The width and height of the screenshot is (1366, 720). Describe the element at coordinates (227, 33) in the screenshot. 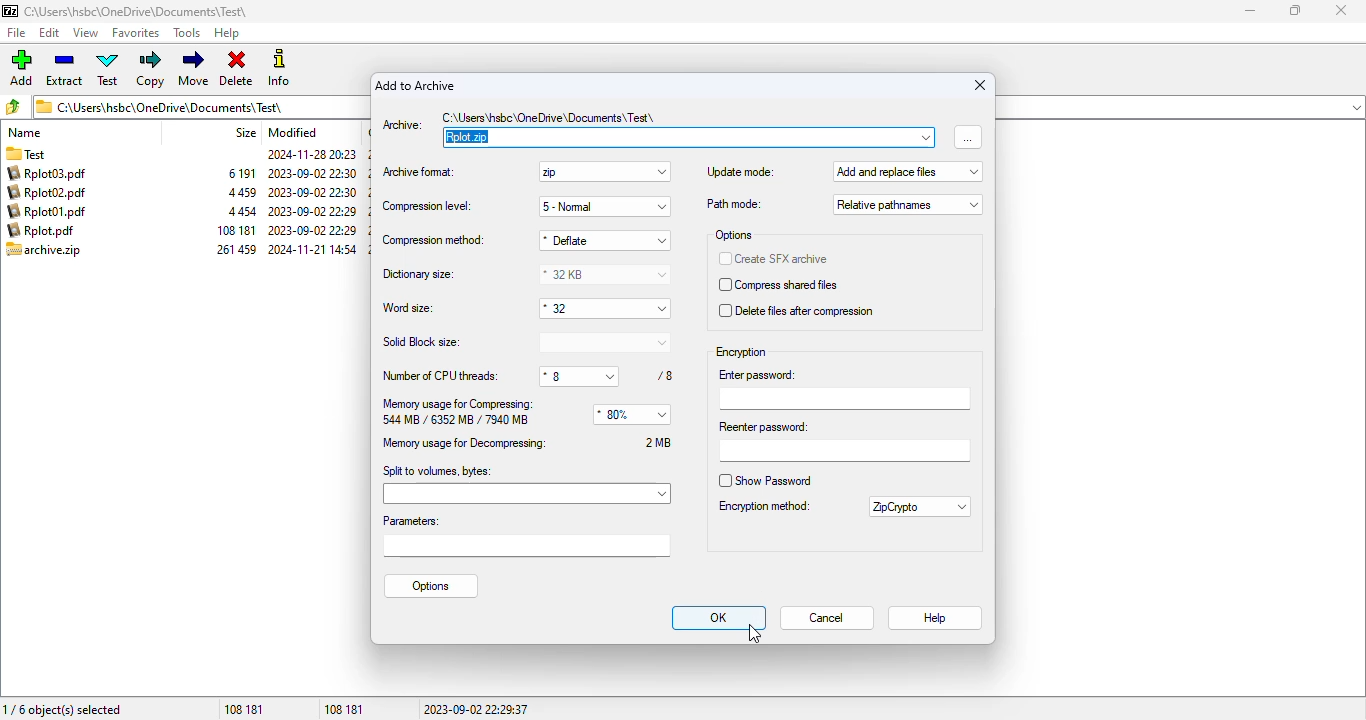

I see `help` at that location.